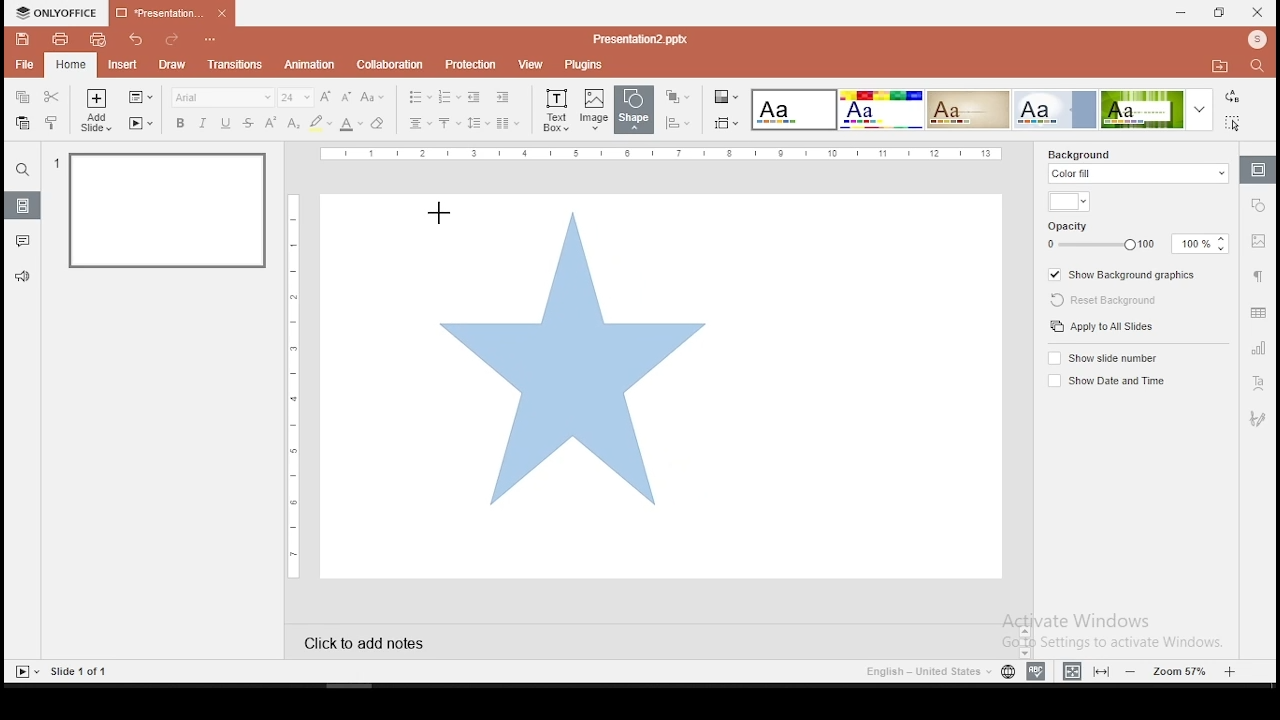 The height and width of the screenshot is (720, 1280). Describe the element at coordinates (312, 65) in the screenshot. I see `animation` at that location.